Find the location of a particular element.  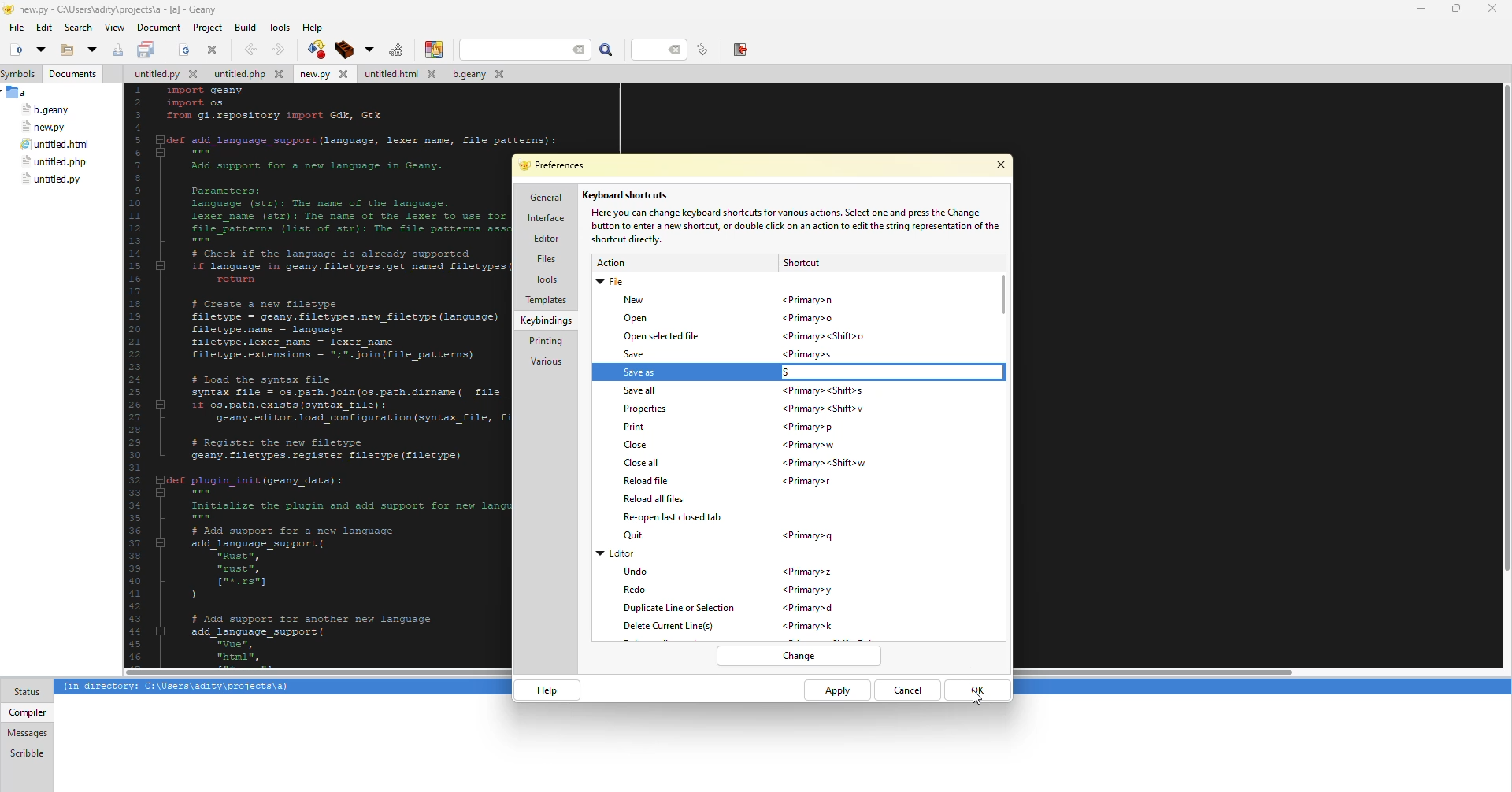

compile is located at coordinates (314, 49).